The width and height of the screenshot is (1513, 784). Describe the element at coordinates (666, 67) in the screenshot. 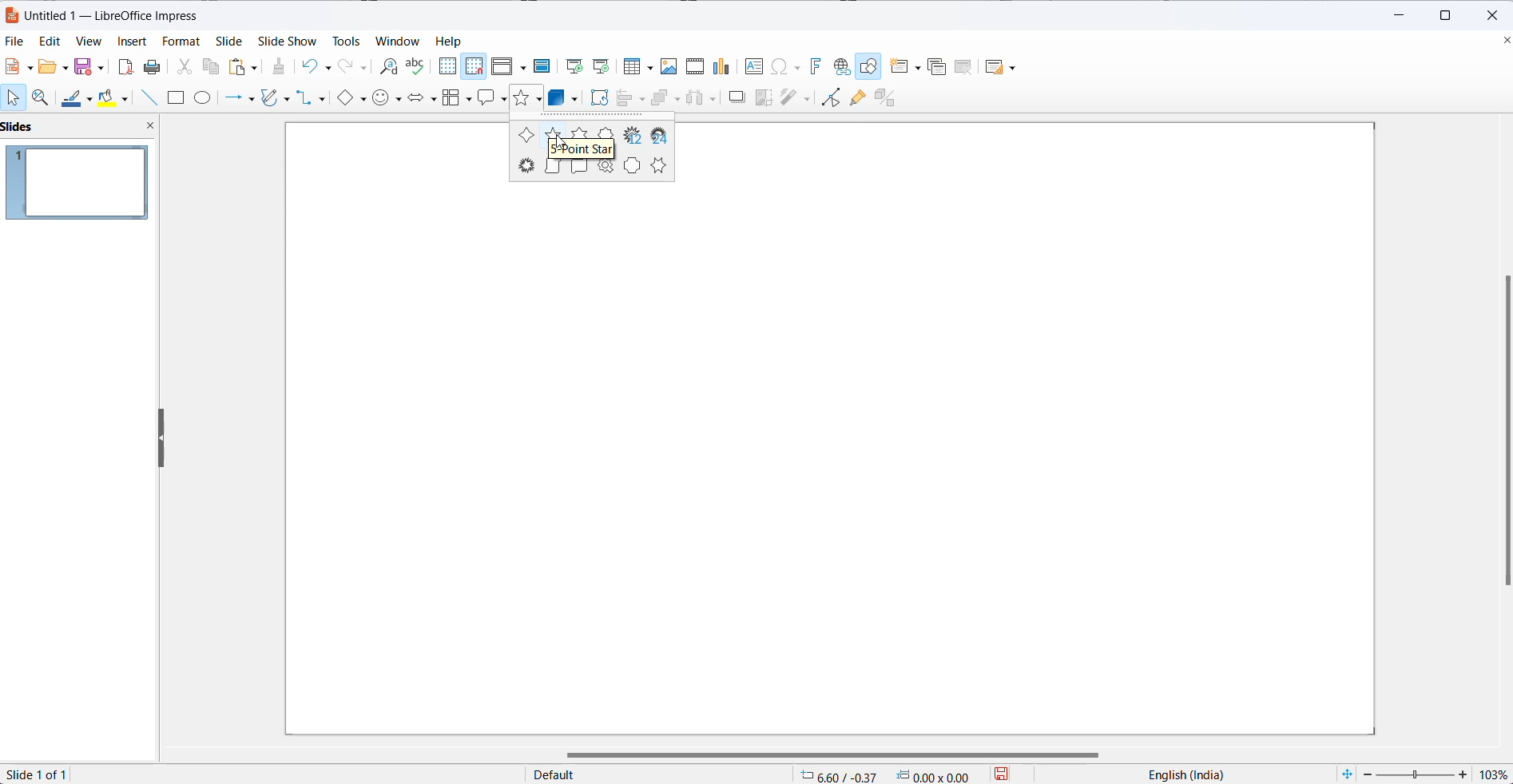

I see `insert image` at that location.